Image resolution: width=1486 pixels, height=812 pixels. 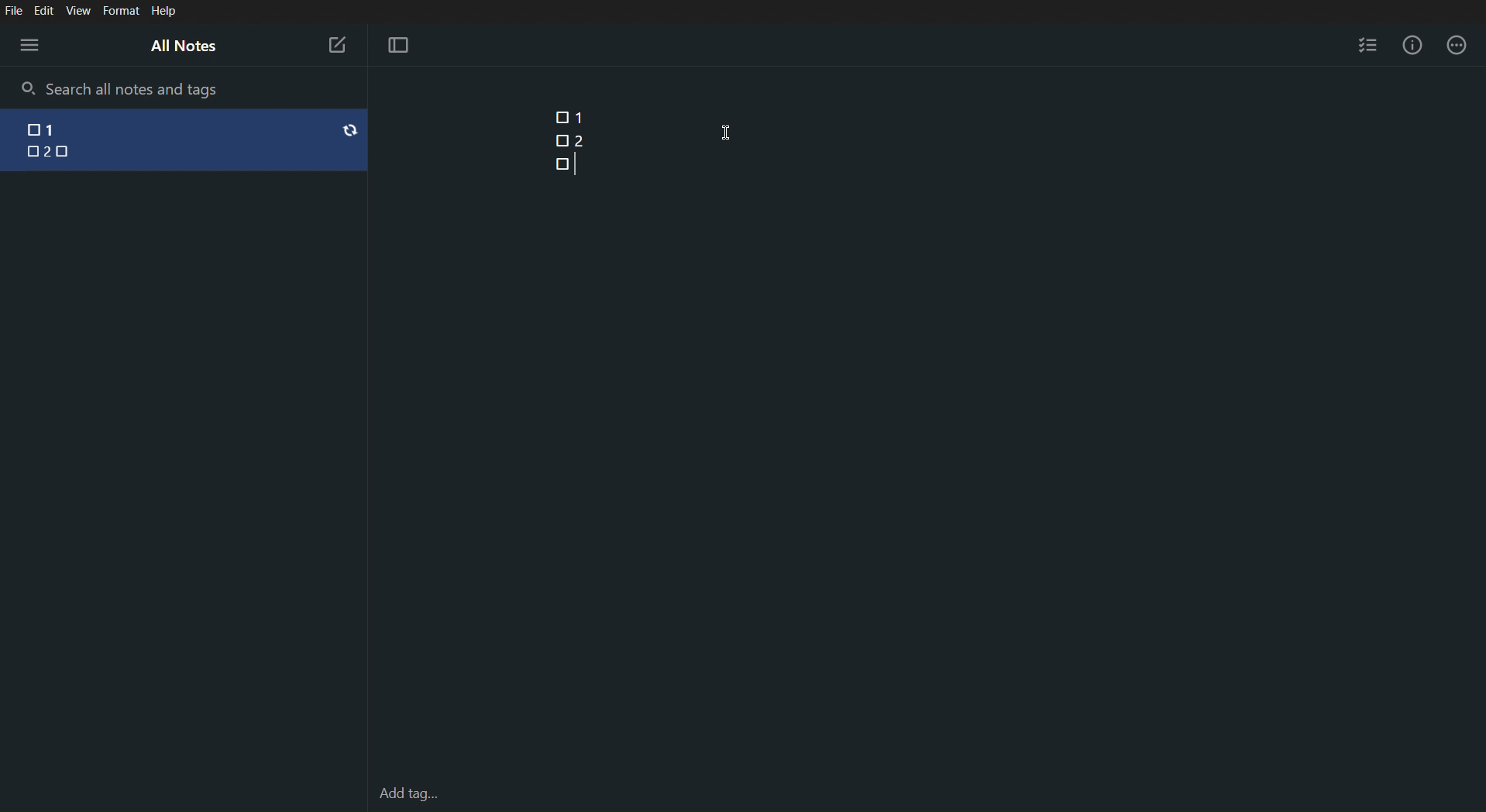 I want to click on Add tag, so click(x=408, y=795).